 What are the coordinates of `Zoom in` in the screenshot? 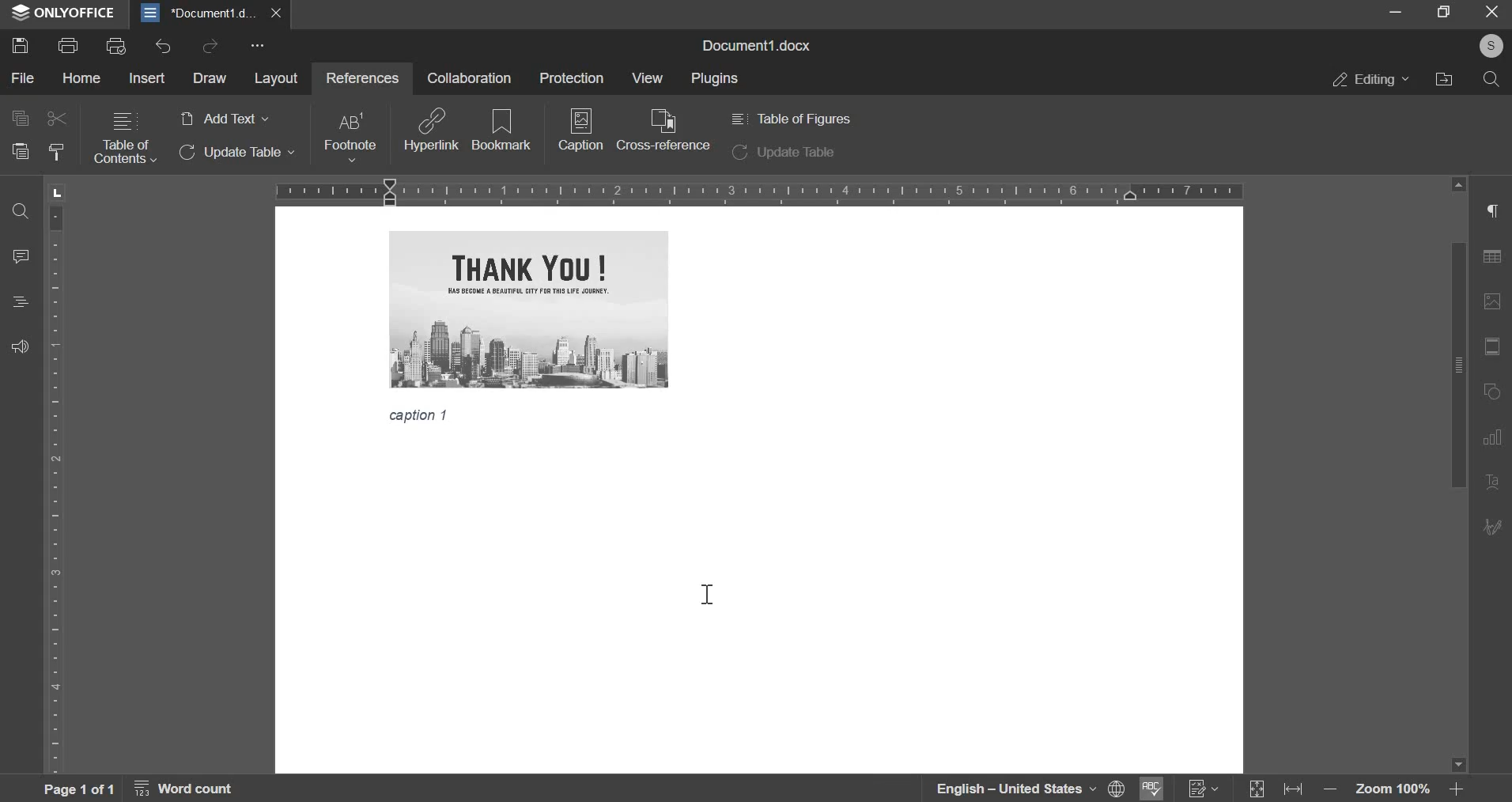 It's located at (1456, 789).